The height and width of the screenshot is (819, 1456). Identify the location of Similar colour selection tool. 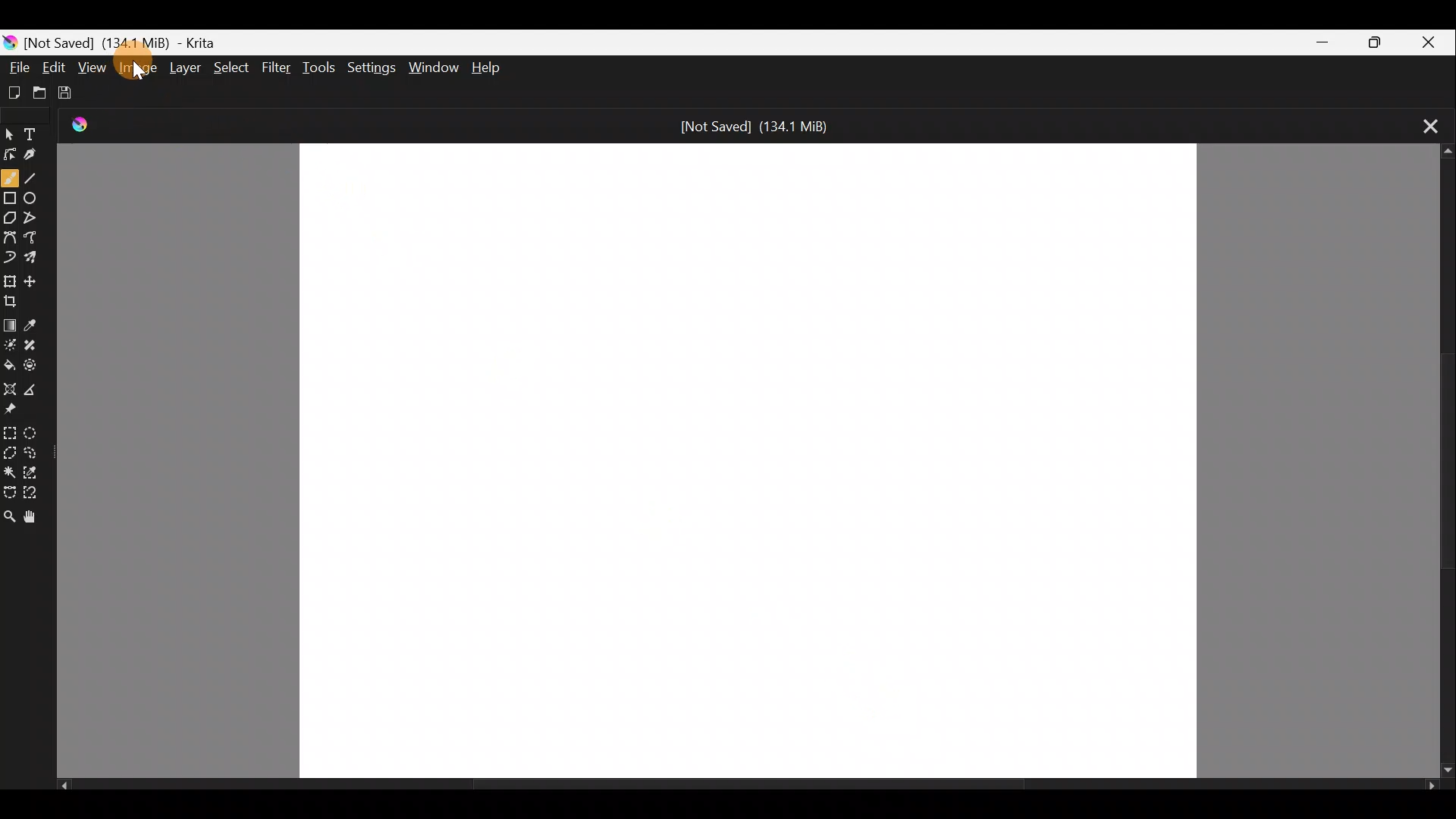
(37, 474).